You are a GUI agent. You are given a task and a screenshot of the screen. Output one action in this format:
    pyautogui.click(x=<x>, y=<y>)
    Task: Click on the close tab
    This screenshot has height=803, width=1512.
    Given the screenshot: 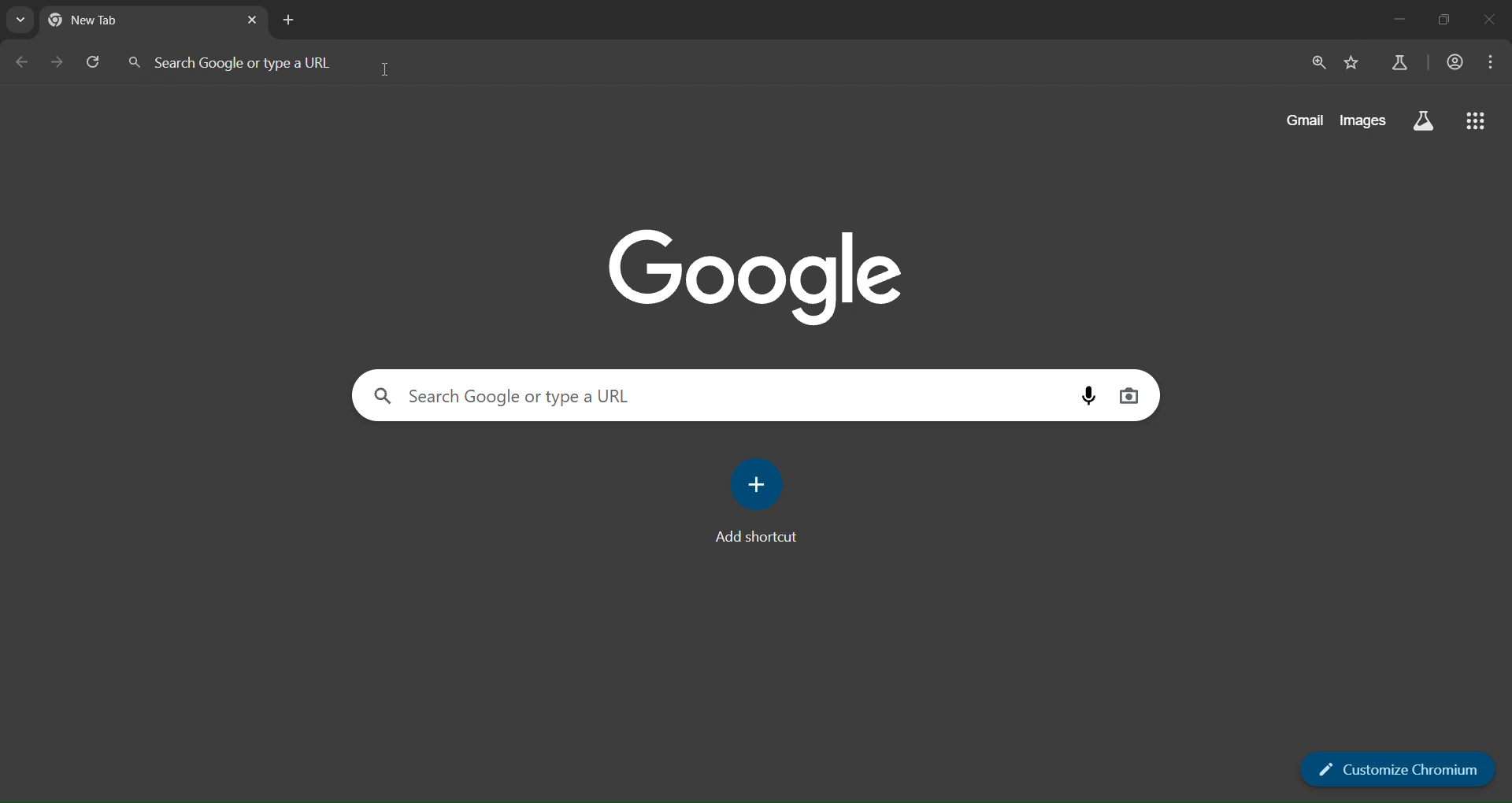 What is the action you would take?
    pyautogui.click(x=248, y=20)
    